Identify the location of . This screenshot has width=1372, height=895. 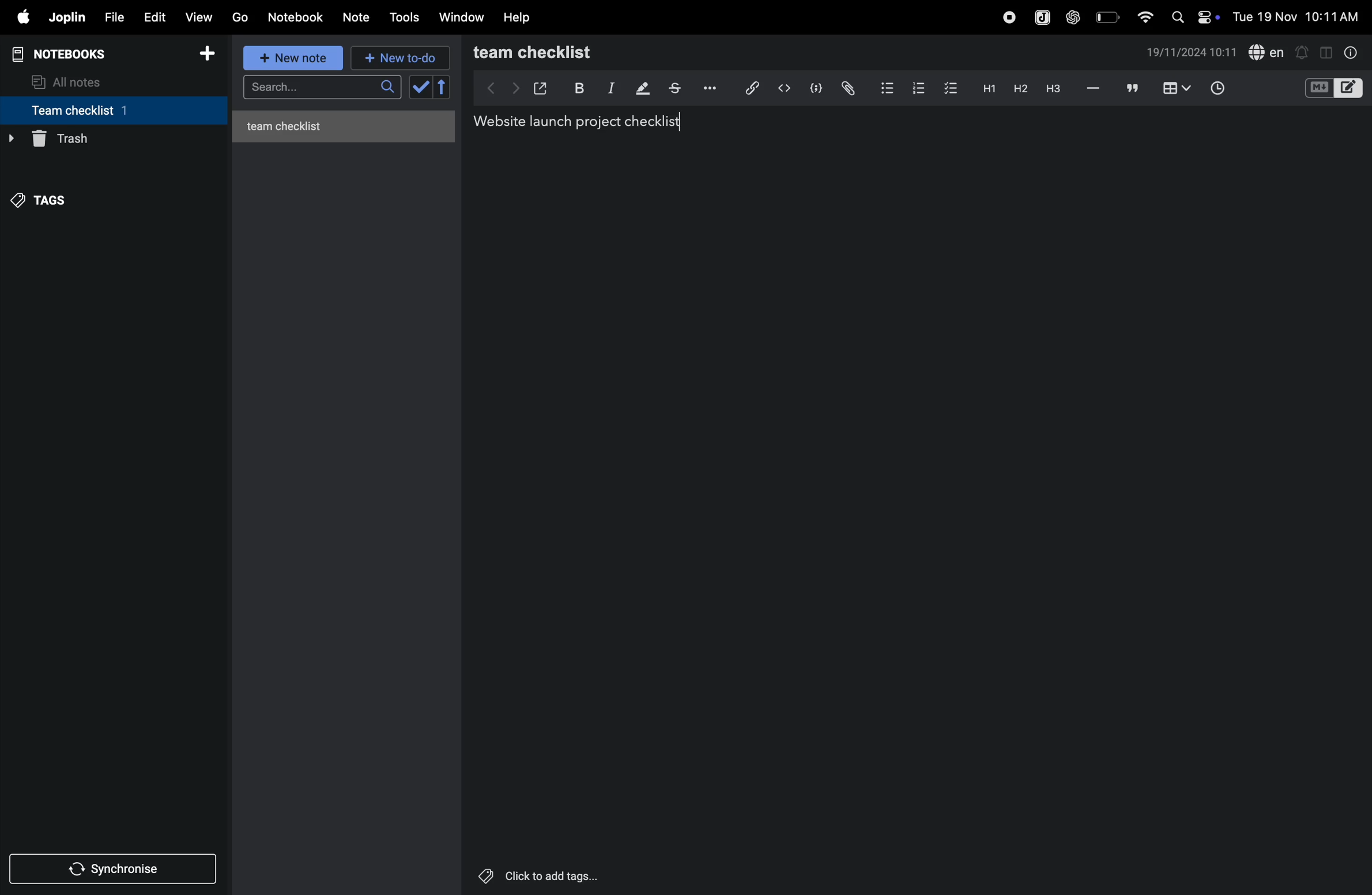
(553, 876).